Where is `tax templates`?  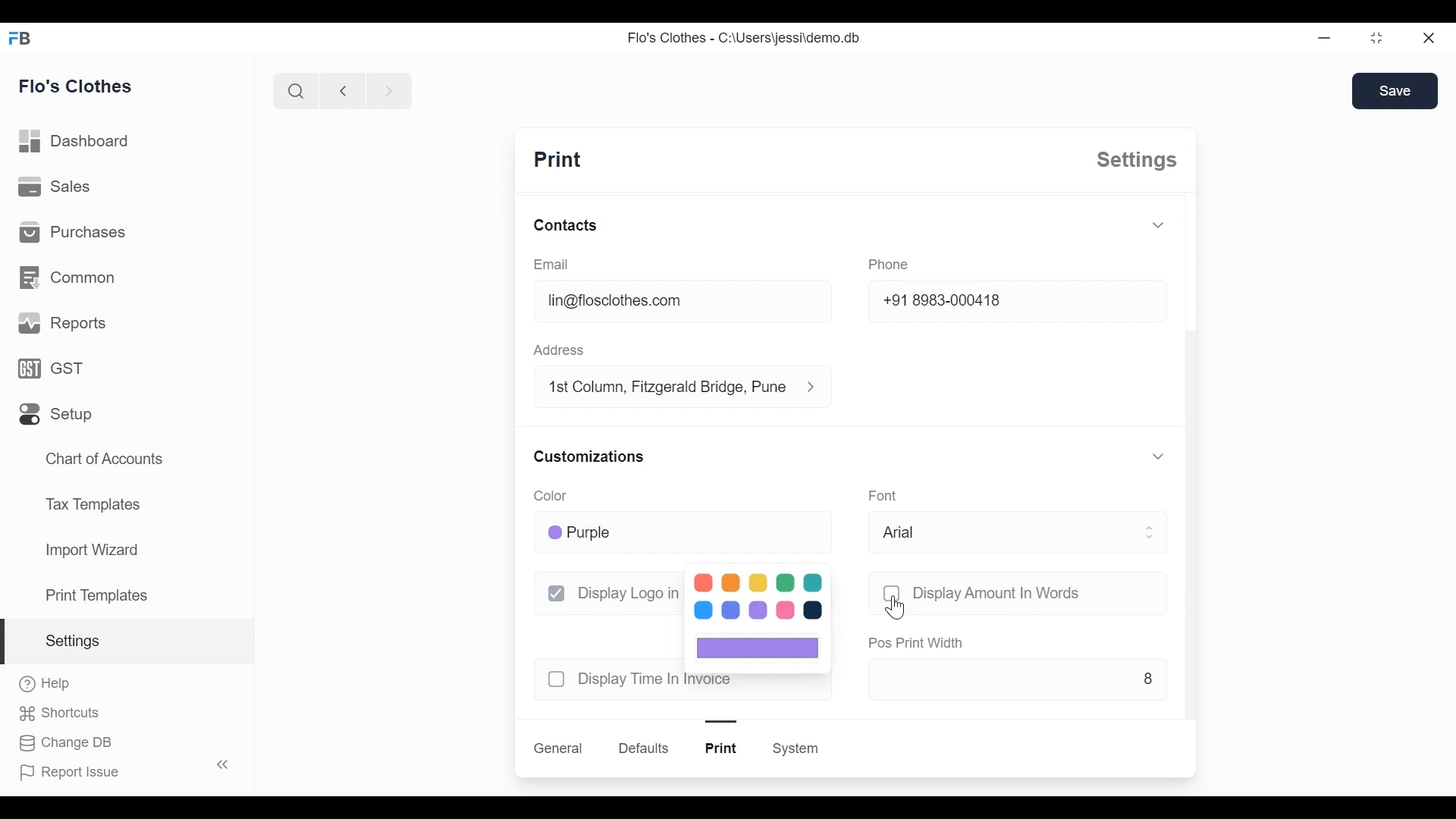
tax templates is located at coordinates (90, 503).